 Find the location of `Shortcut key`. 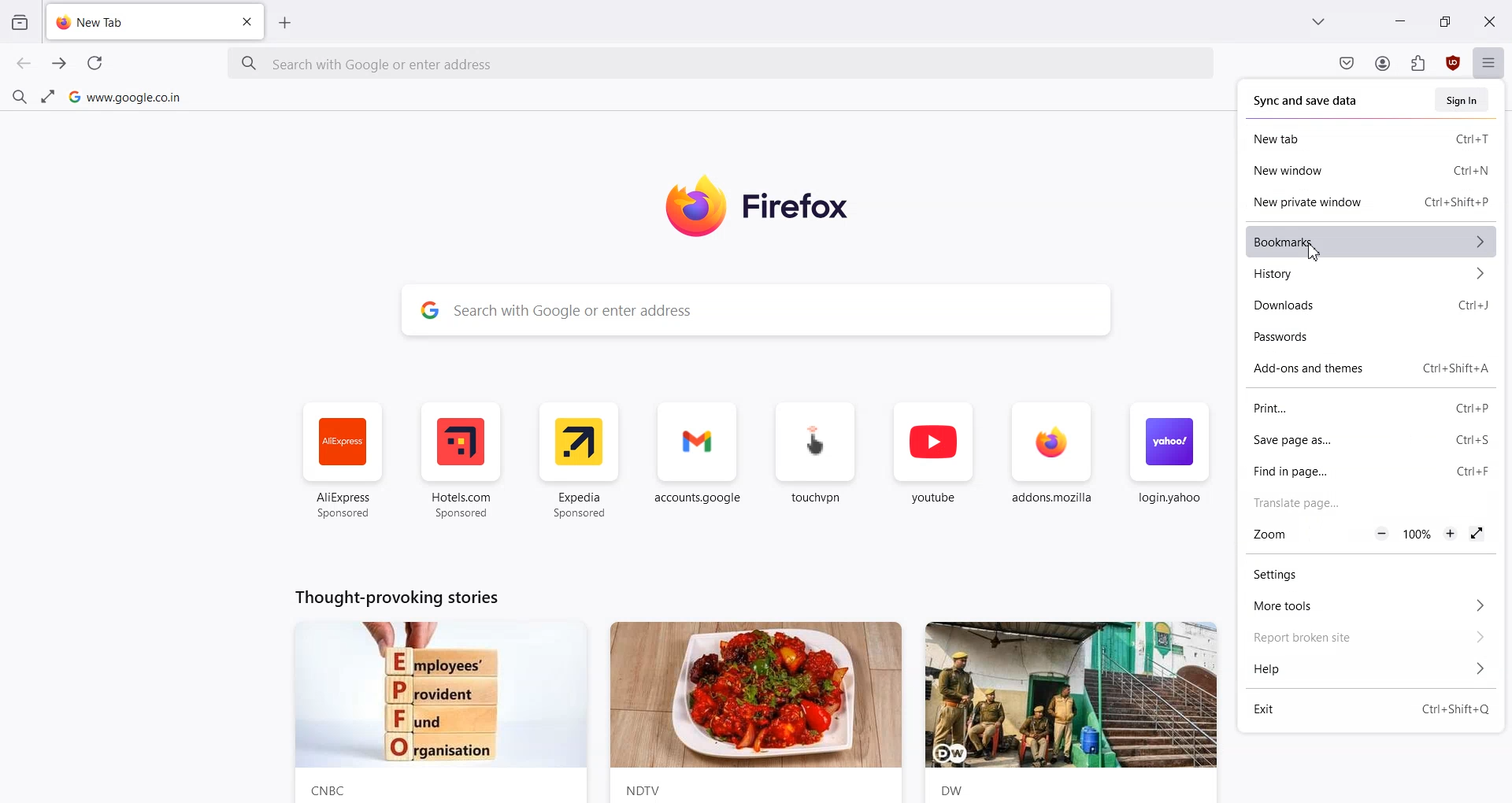

Shortcut key is located at coordinates (1460, 368).